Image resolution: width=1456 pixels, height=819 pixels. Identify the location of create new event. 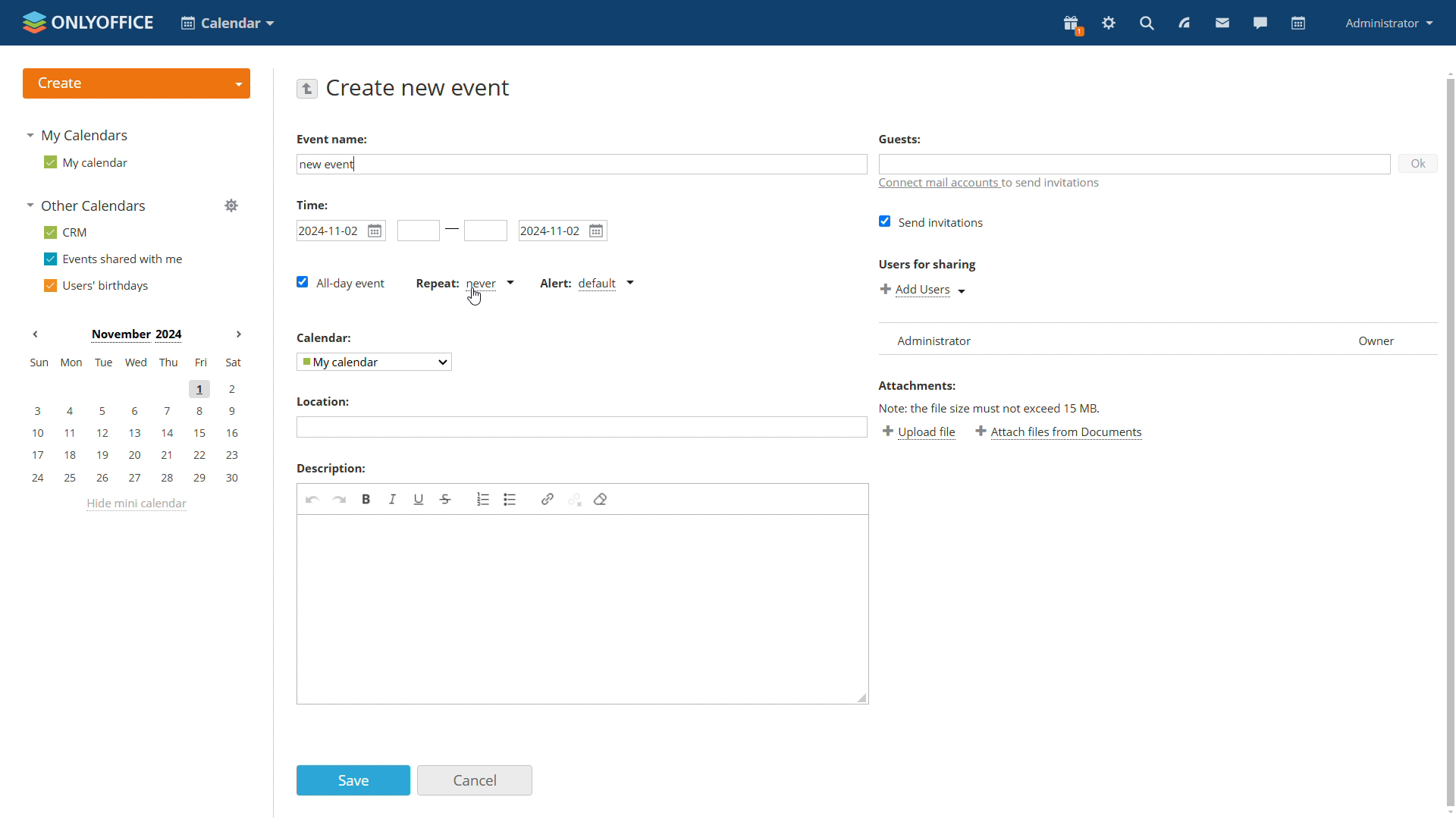
(421, 87).